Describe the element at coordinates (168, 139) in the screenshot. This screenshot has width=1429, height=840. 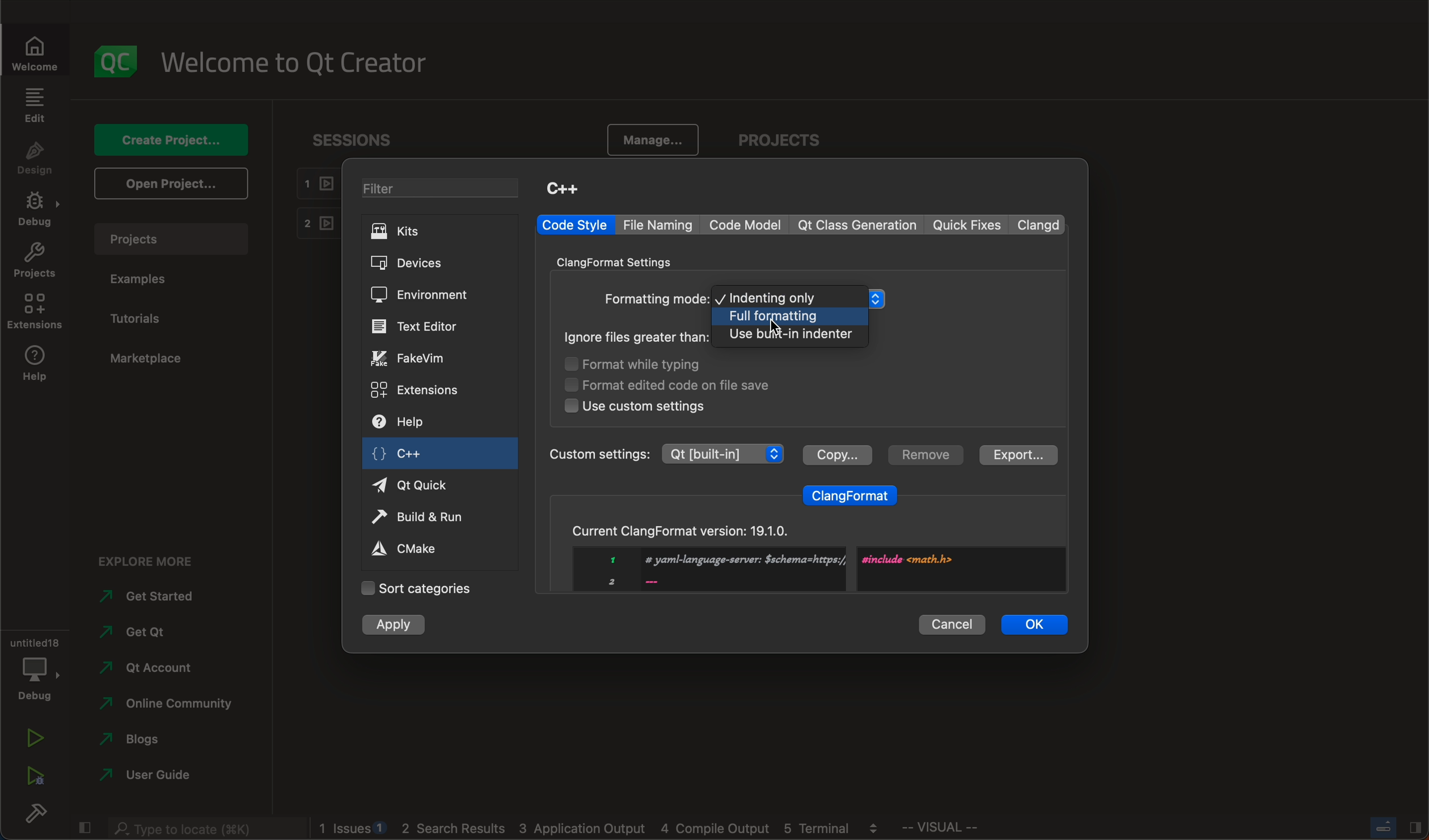
I see `create` at that location.